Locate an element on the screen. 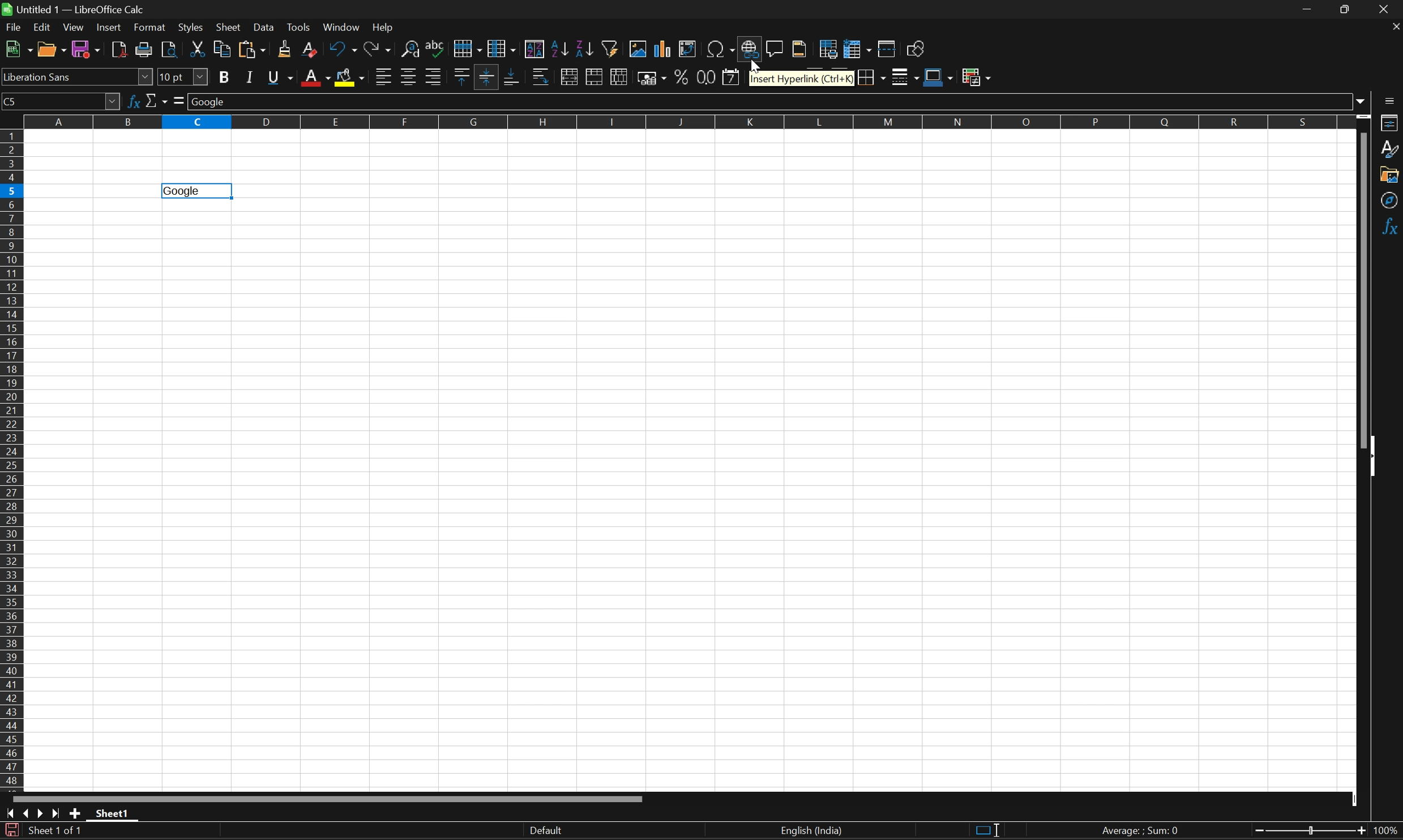 This screenshot has width=1403, height=840. Auto filter is located at coordinates (613, 47).